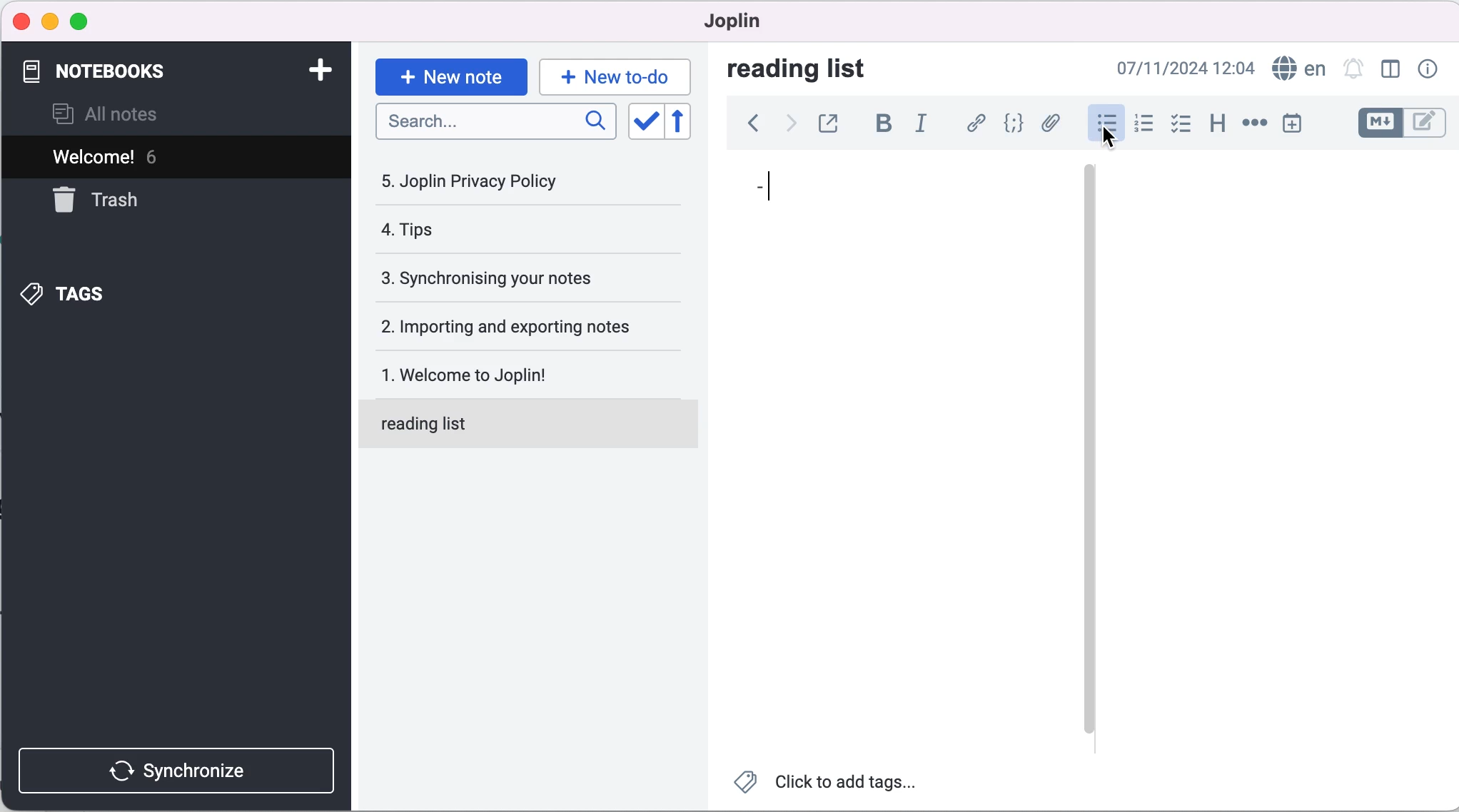  I want to click on blank canvas 2, so click(1276, 460).